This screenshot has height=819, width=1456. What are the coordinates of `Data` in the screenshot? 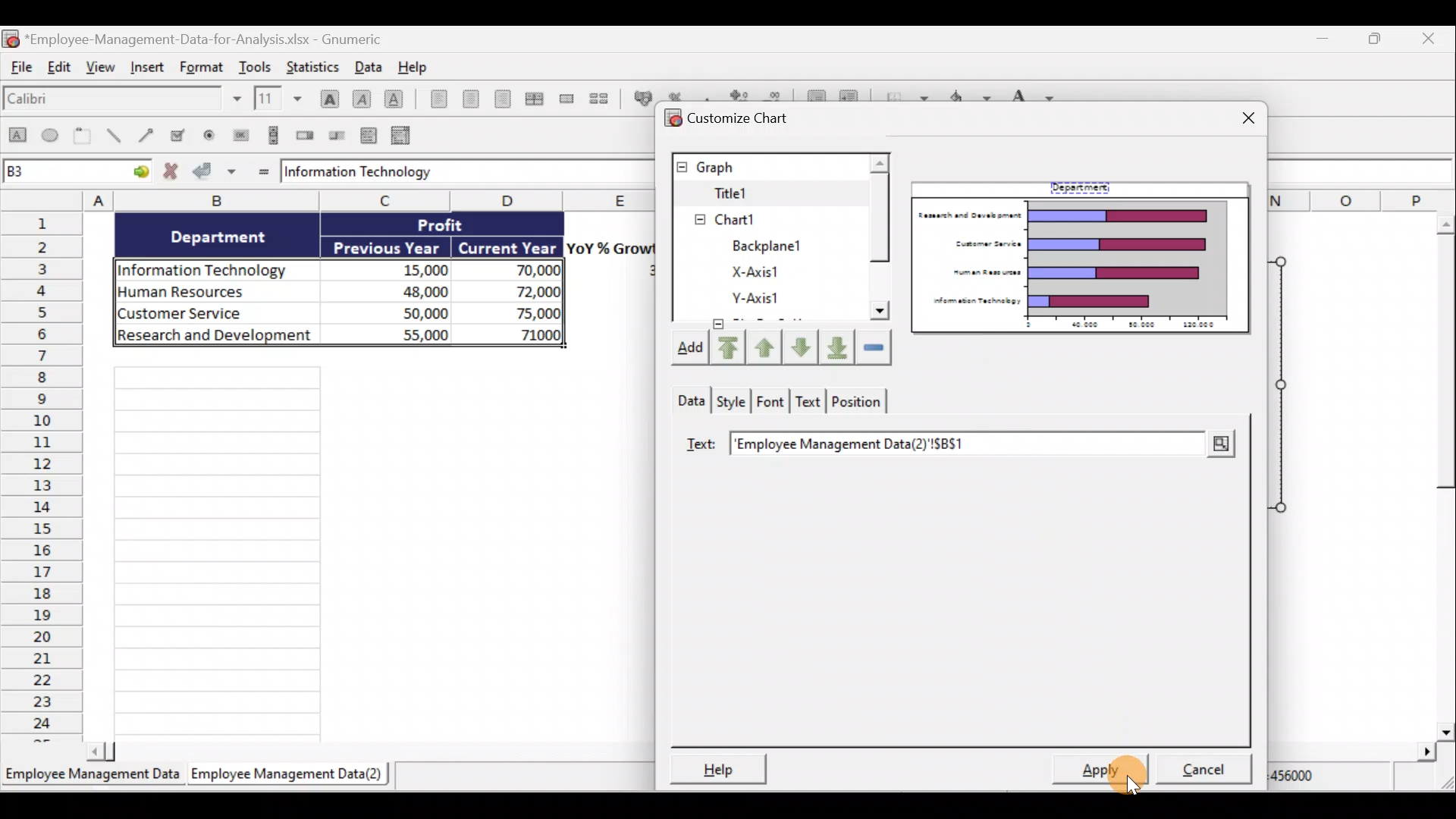 It's located at (370, 66).